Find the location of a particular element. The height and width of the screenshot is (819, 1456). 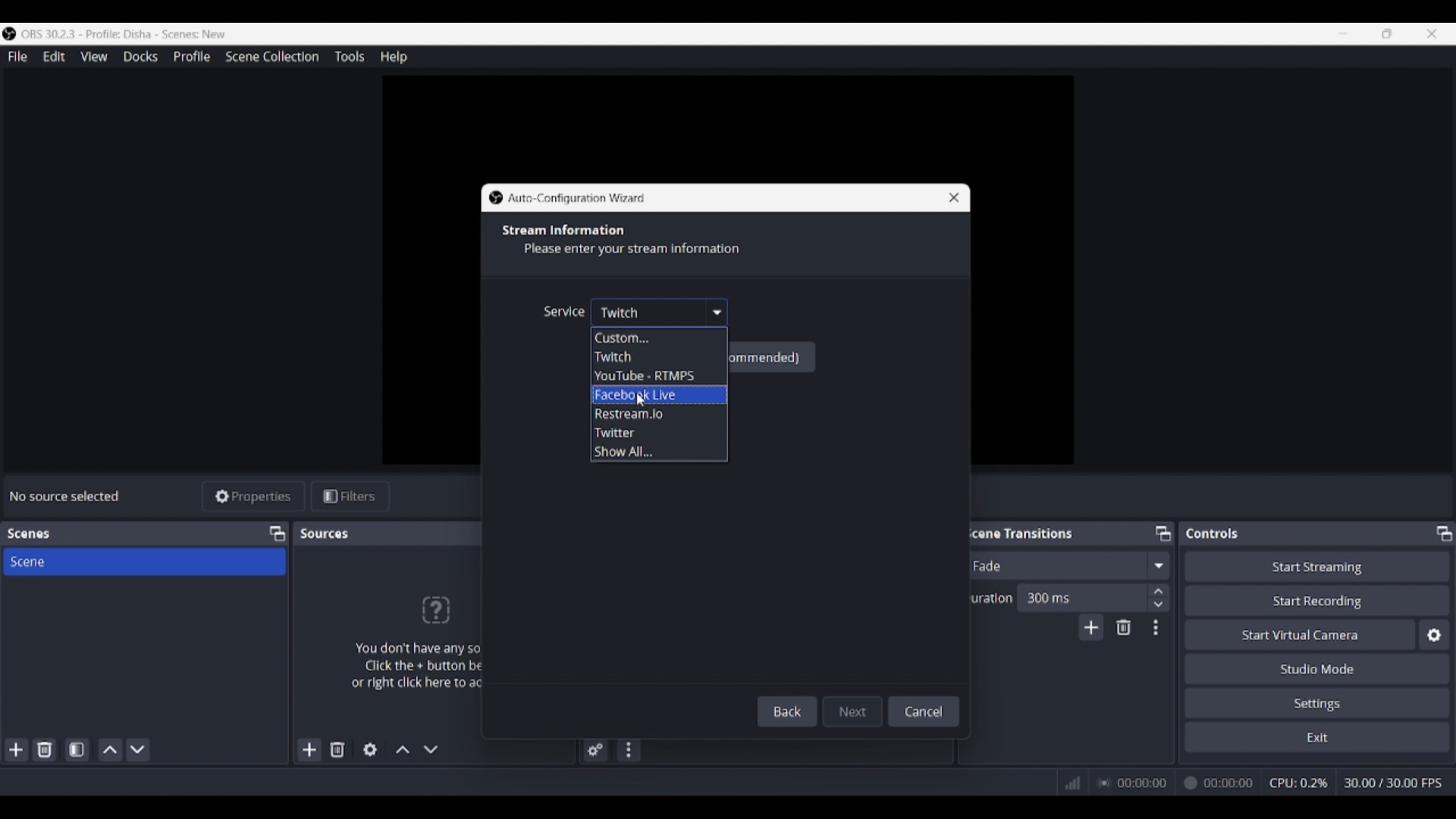

Panel title is located at coordinates (1213, 533).